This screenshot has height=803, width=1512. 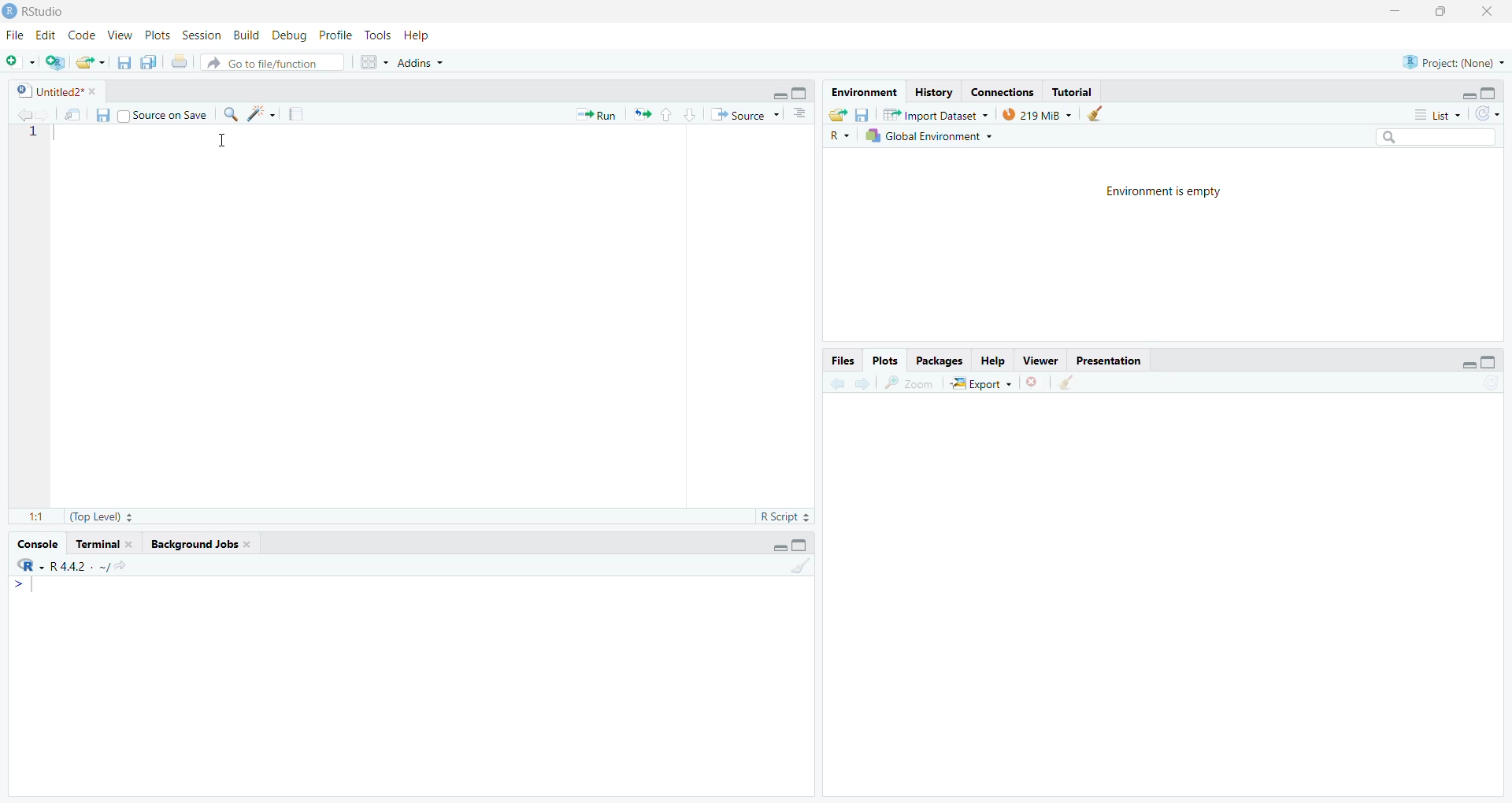 I want to click on Code, so click(x=83, y=35).